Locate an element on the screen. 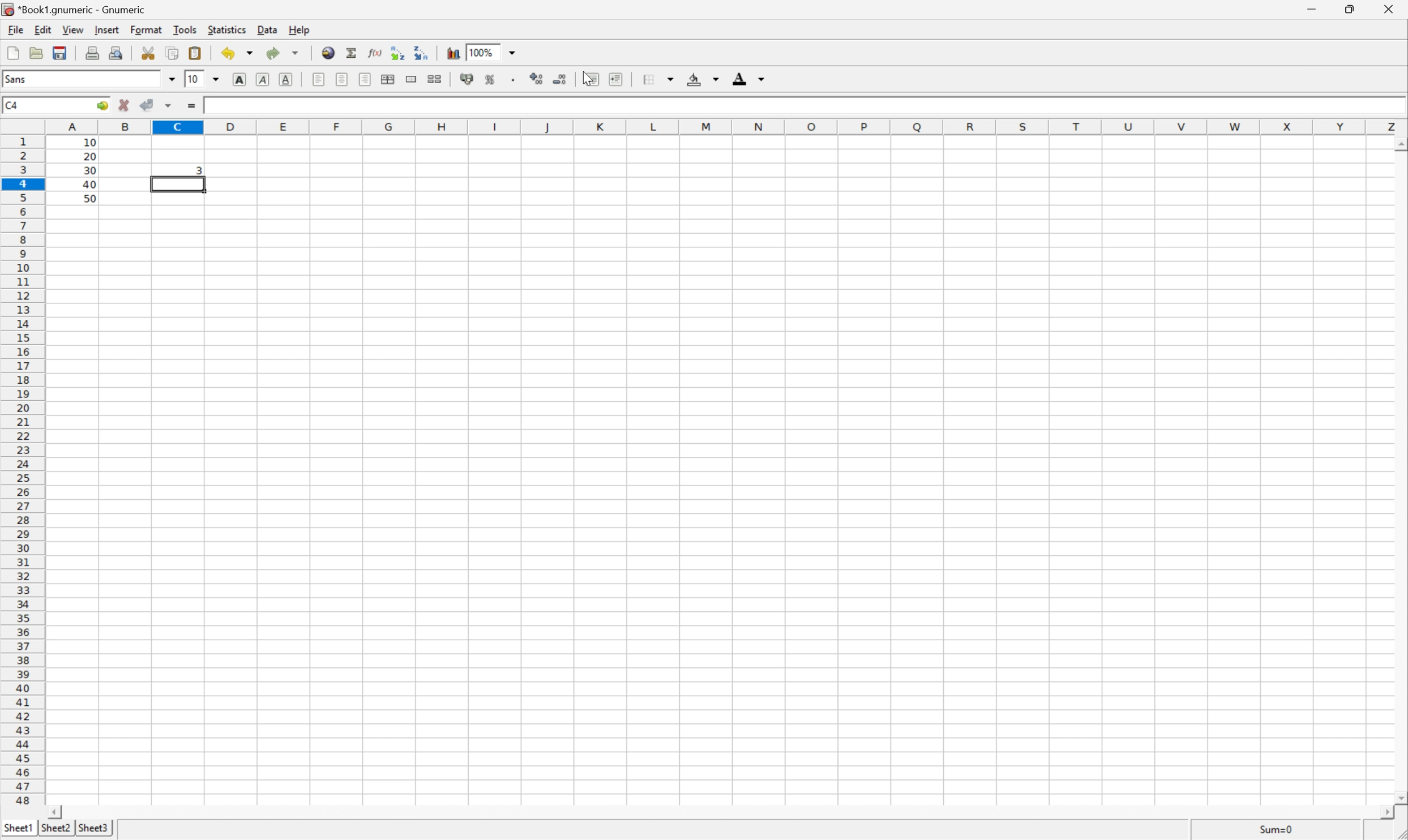  Underline text is located at coordinates (286, 81).